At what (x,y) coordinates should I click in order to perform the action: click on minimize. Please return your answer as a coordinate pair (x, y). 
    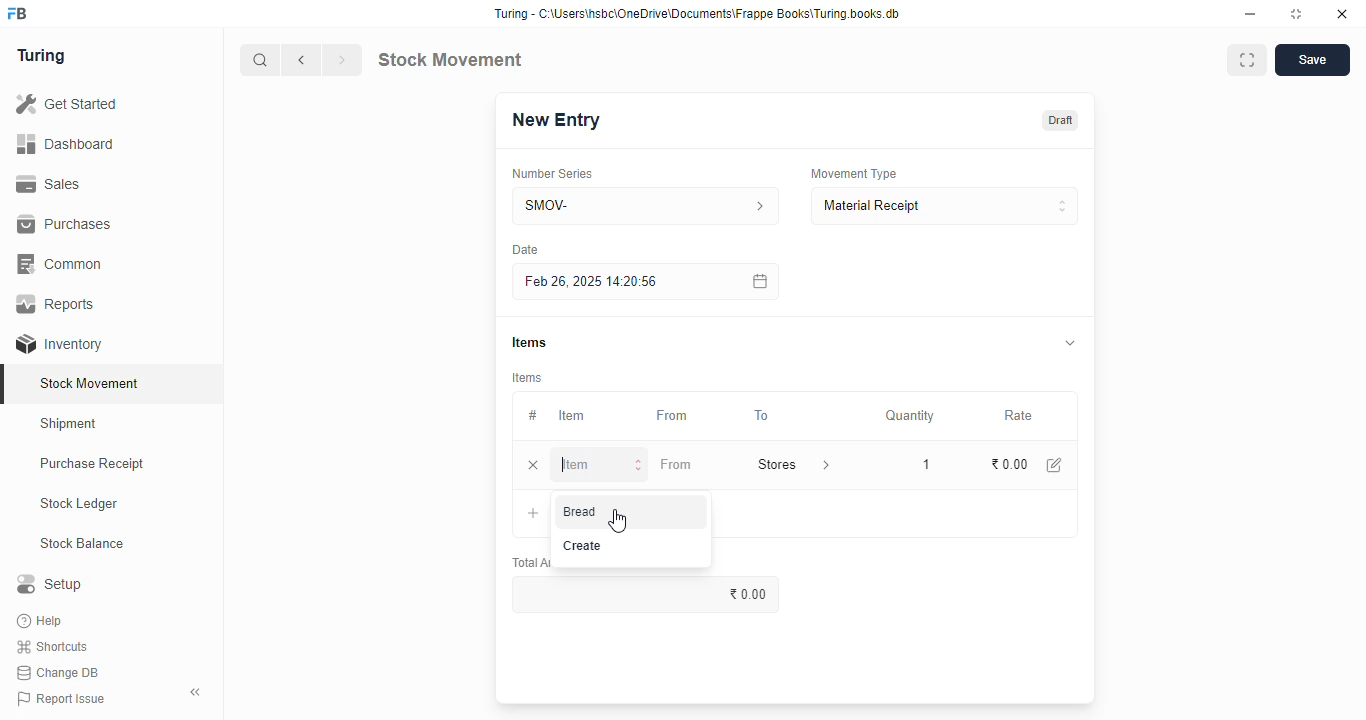
    Looking at the image, I should click on (1250, 15).